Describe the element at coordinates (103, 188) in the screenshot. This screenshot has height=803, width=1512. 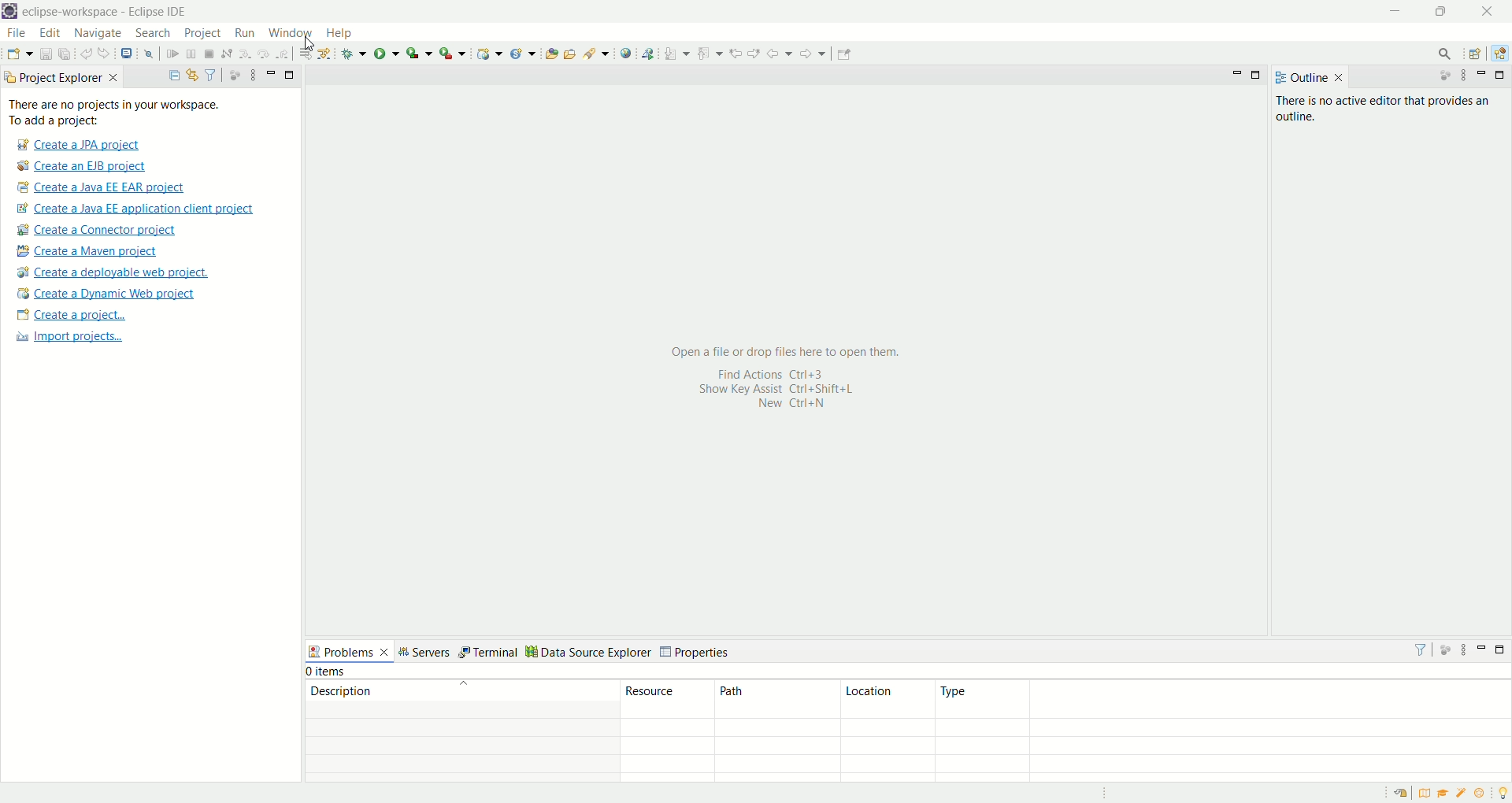
I see `create a Java EE EAR project` at that location.